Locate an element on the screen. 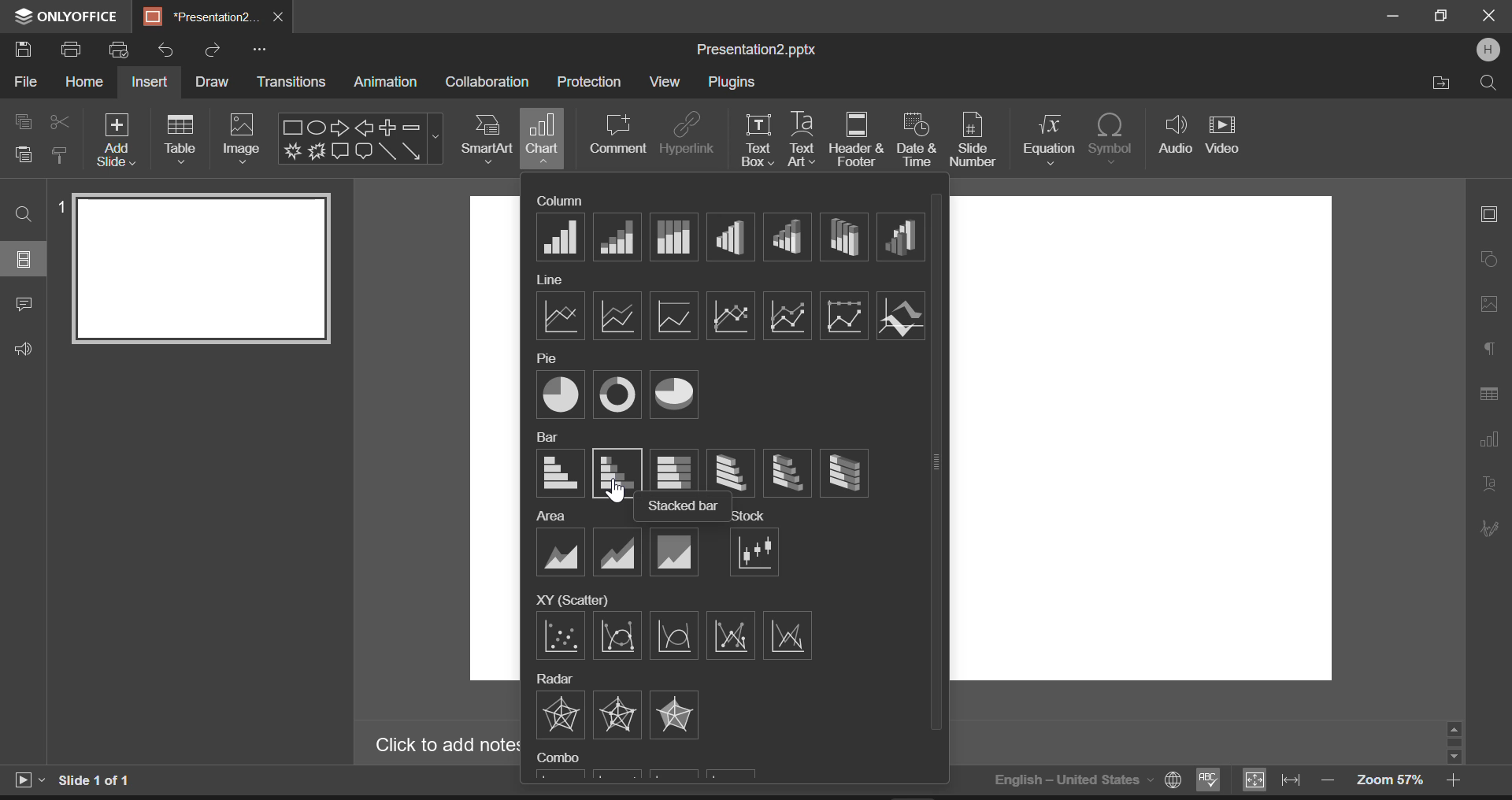 The image size is (1512, 800). Undo is located at coordinates (166, 46).